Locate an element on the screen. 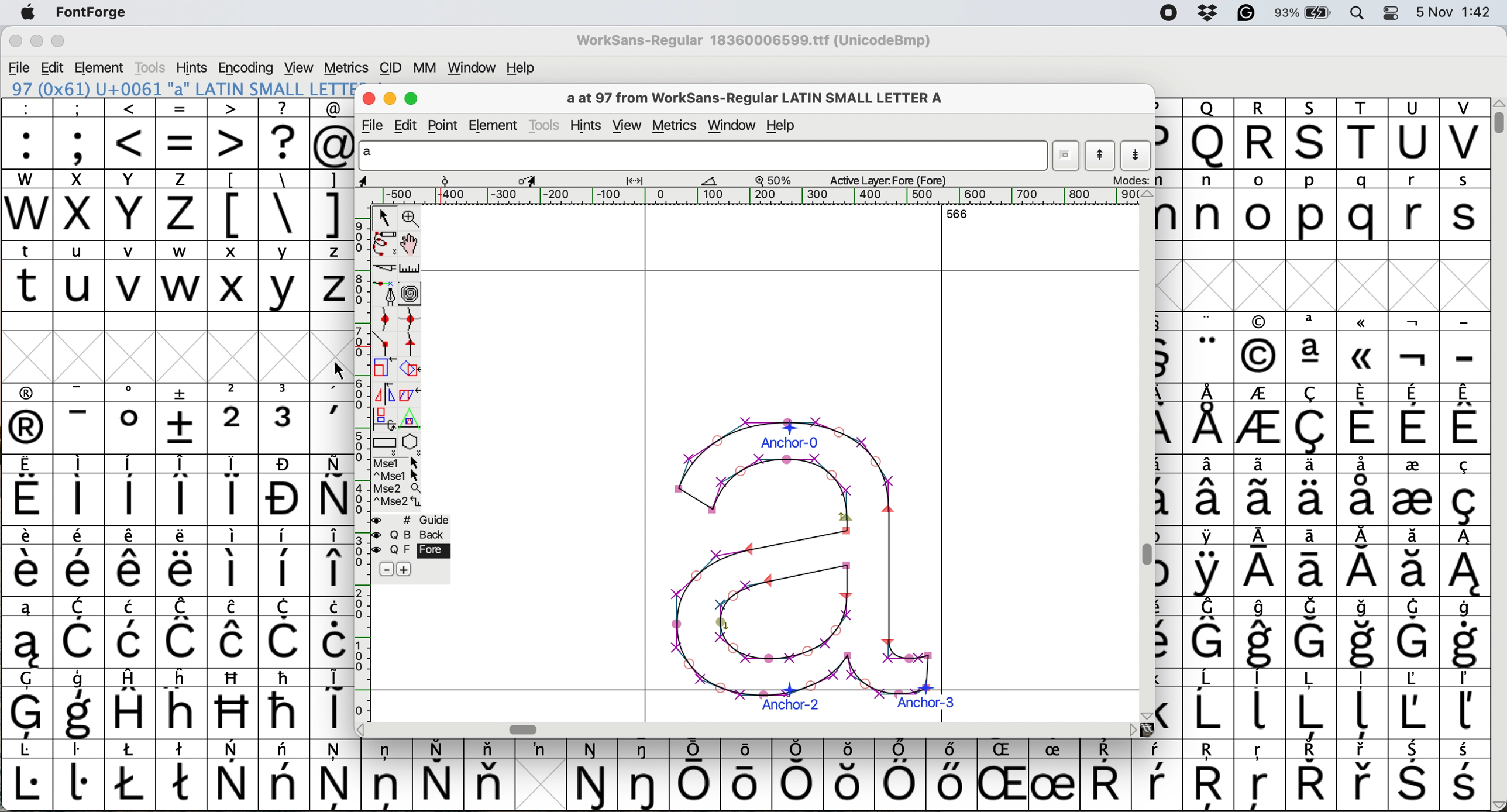  add is located at coordinates (407, 570).